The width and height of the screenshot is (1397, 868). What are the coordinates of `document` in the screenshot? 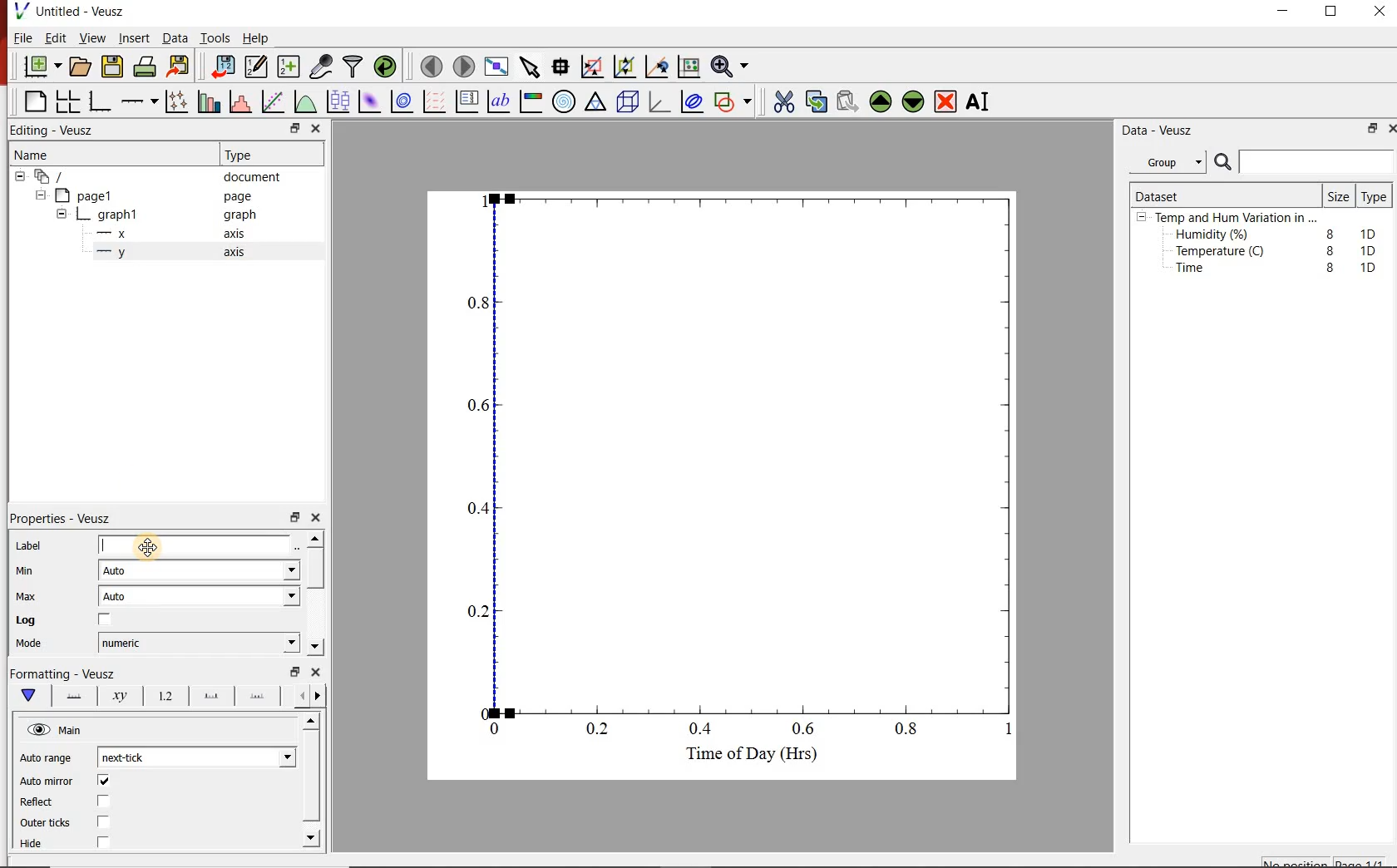 It's located at (258, 177).